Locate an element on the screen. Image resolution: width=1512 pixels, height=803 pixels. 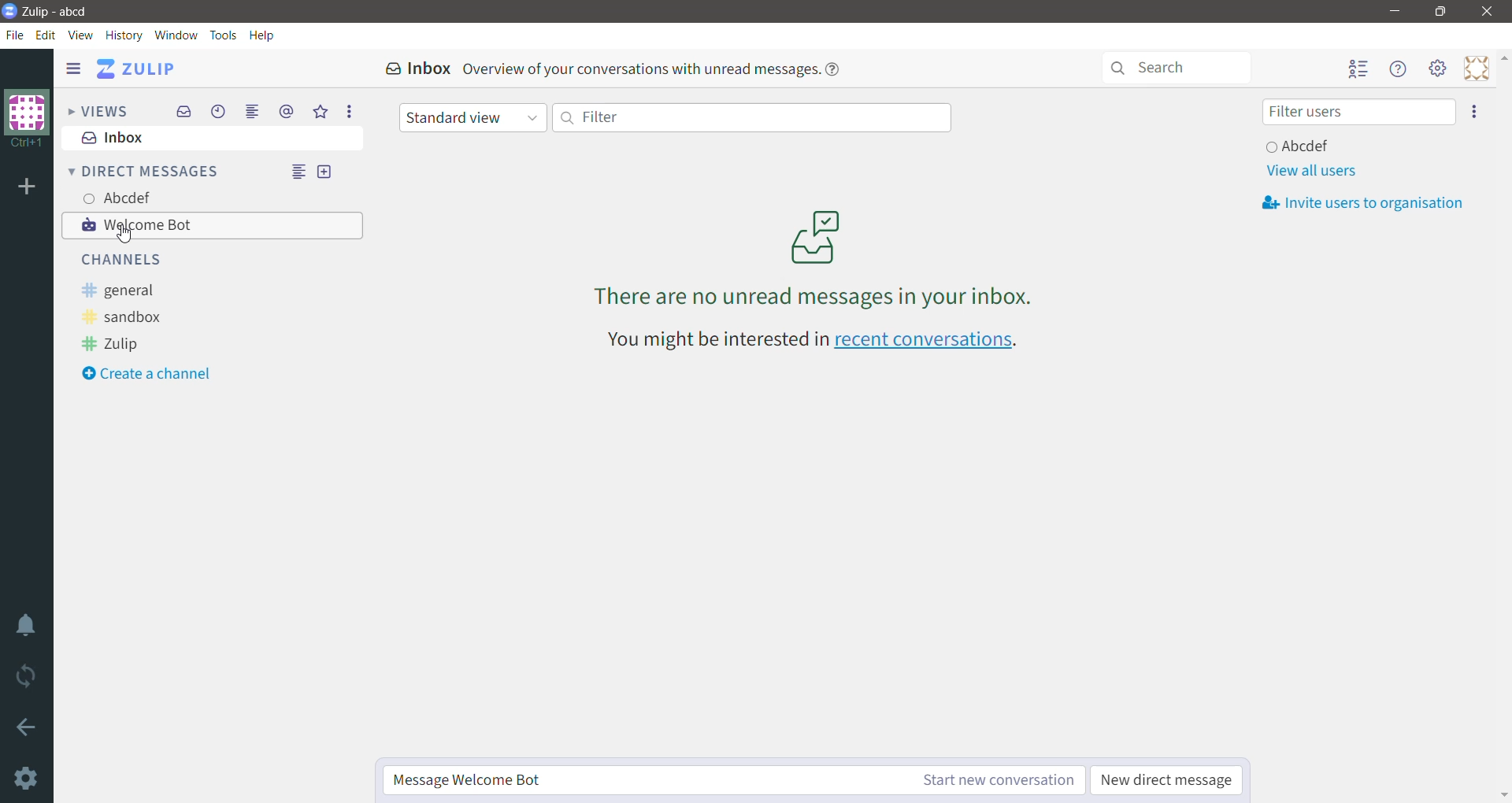
Filter users is located at coordinates (1358, 111).